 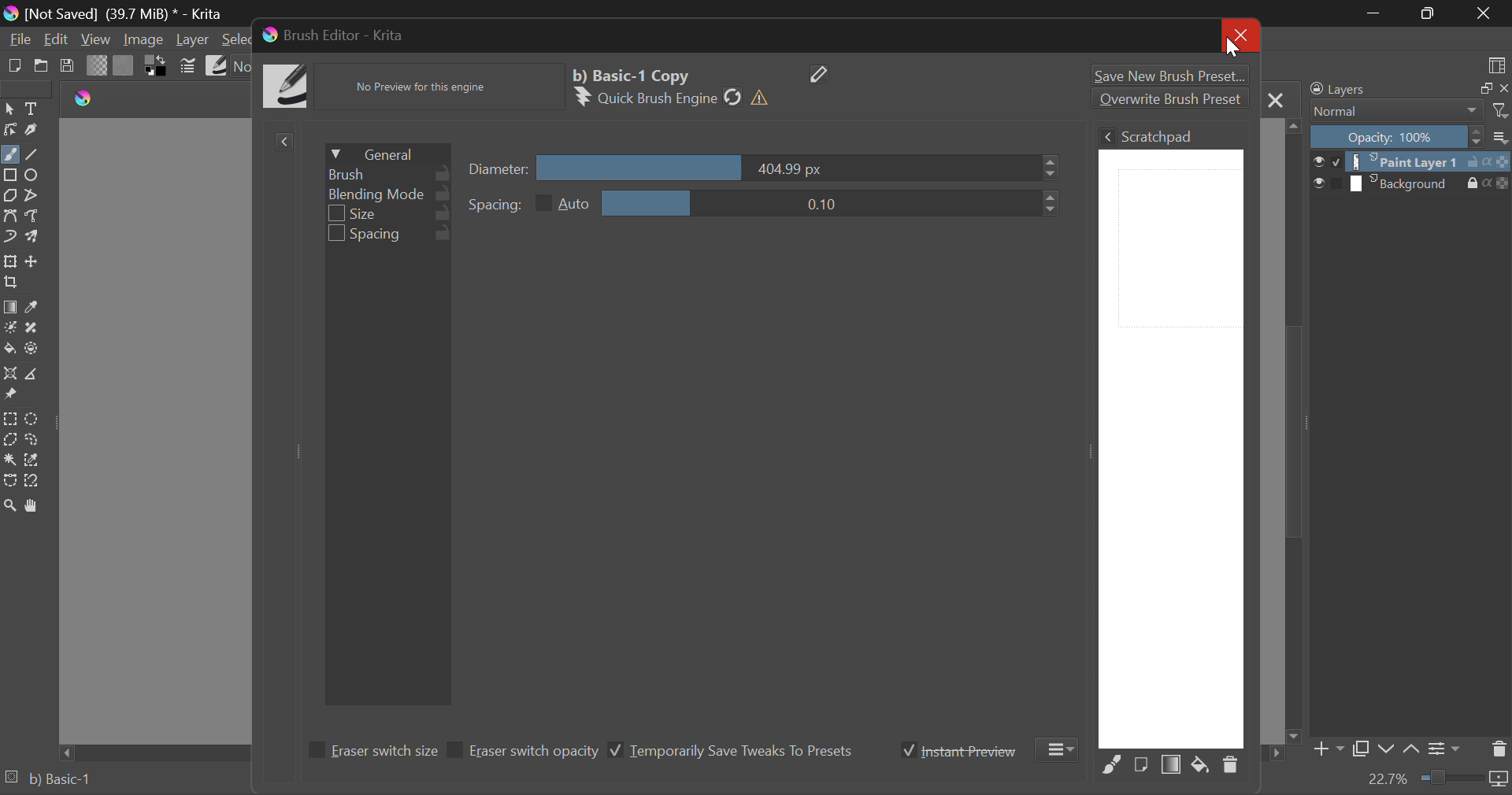 What do you see at coordinates (34, 373) in the screenshot?
I see `Measurement` at bounding box center [34, 373].